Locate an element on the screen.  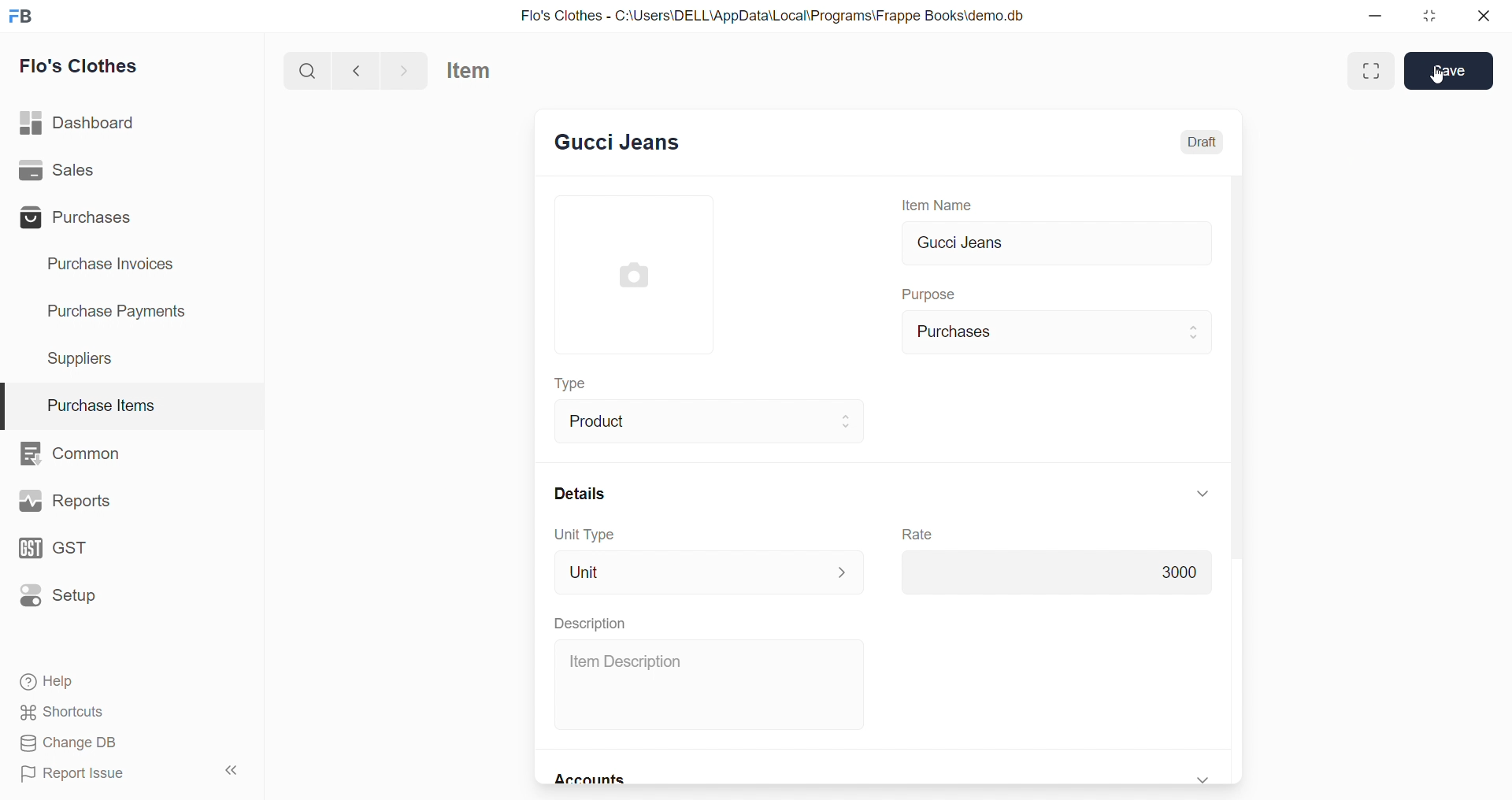
Help is located at coordinates (124, 680).